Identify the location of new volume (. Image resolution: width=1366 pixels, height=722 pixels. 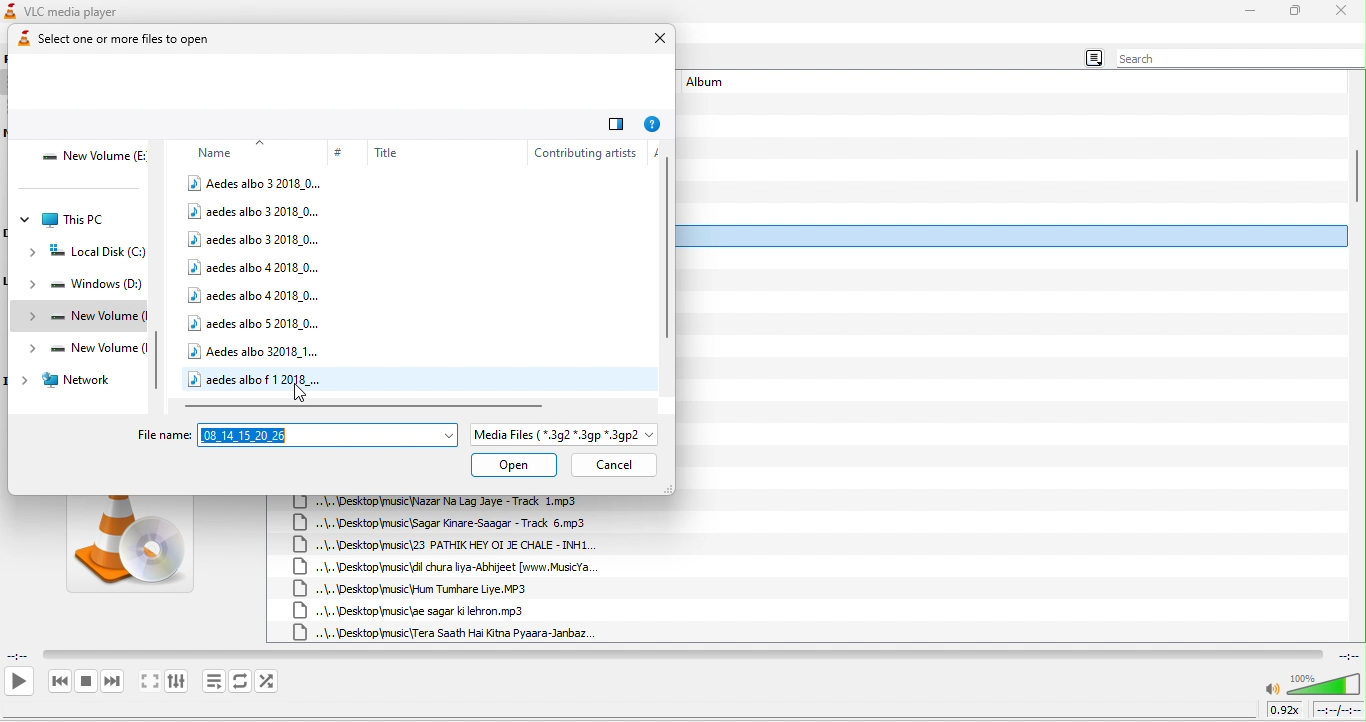
(83, 316).